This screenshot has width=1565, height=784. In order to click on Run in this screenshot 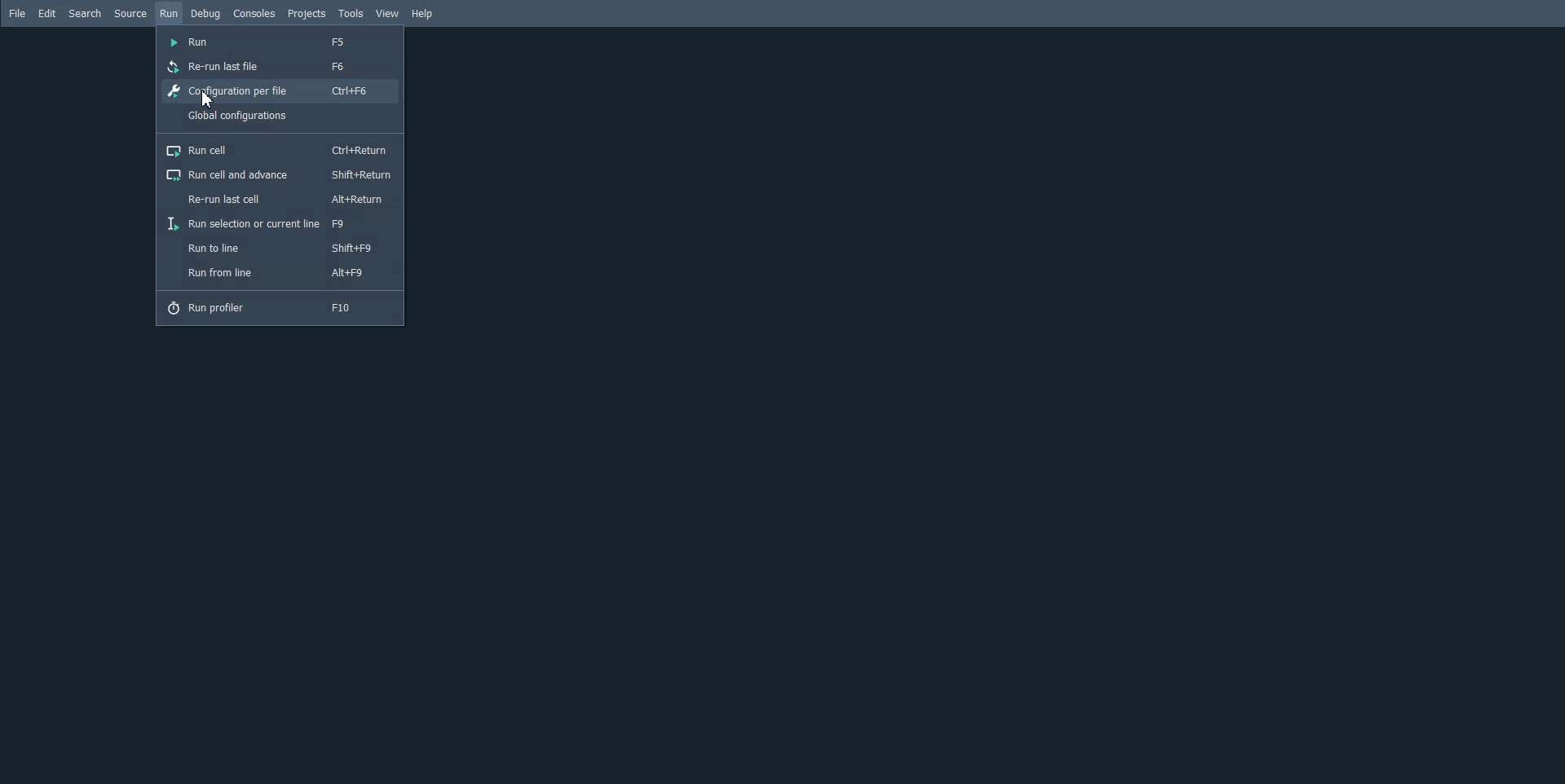, I will do `click(280, 42)`.